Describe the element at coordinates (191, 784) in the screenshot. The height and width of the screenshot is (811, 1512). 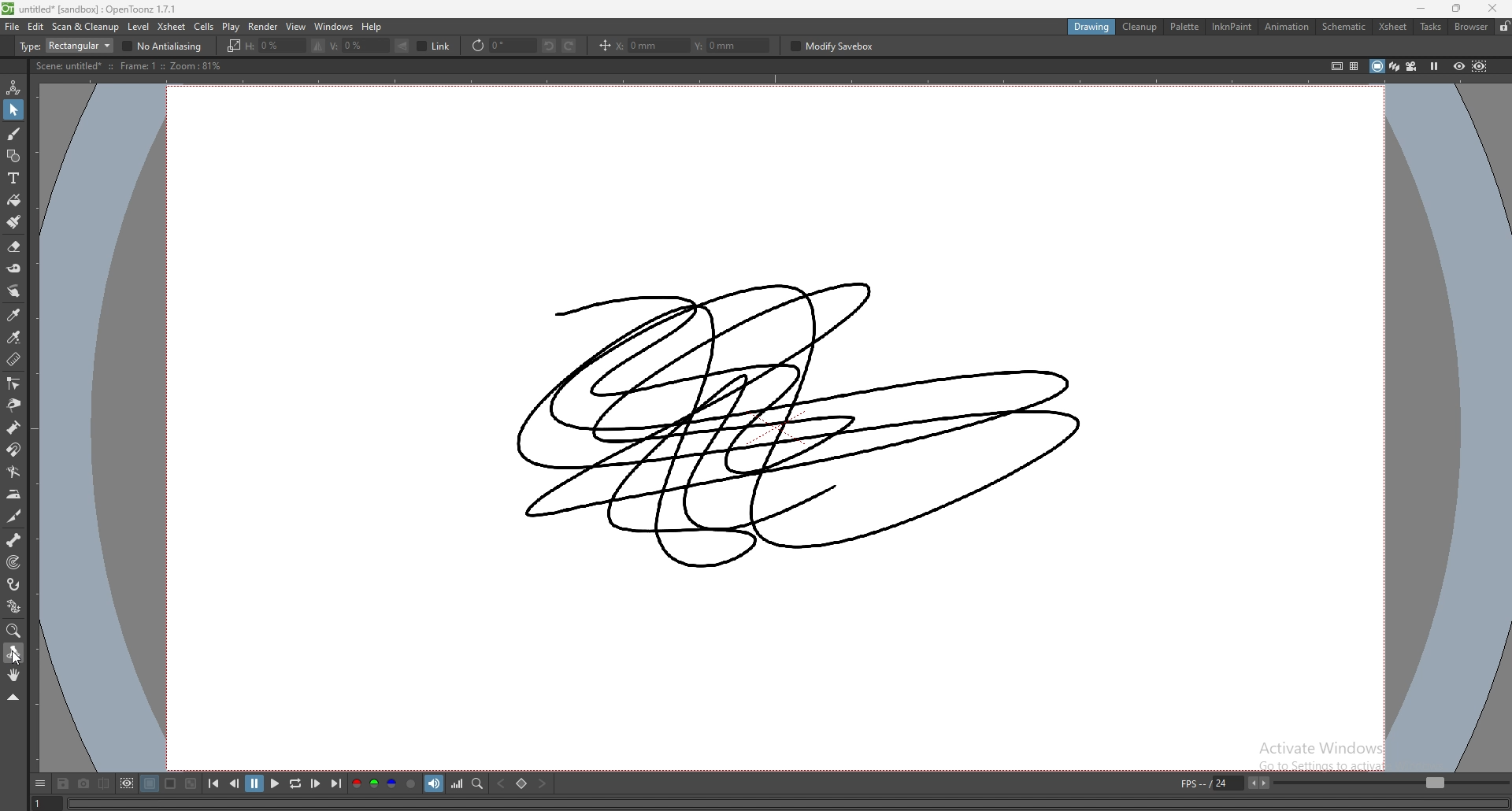
I see `checkered background` at that location.